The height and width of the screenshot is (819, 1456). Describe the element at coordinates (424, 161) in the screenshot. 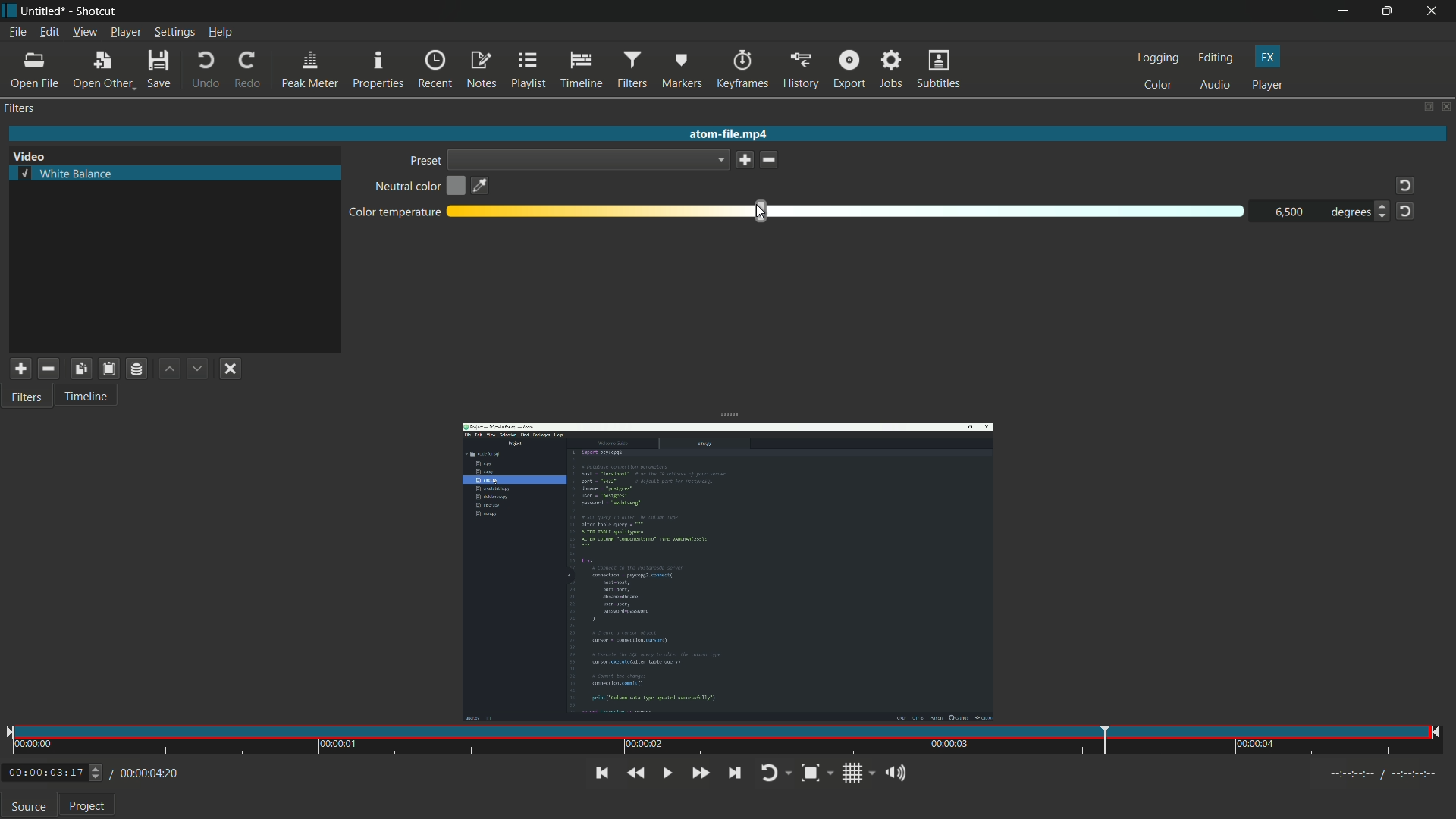

I see `preset` at that location.